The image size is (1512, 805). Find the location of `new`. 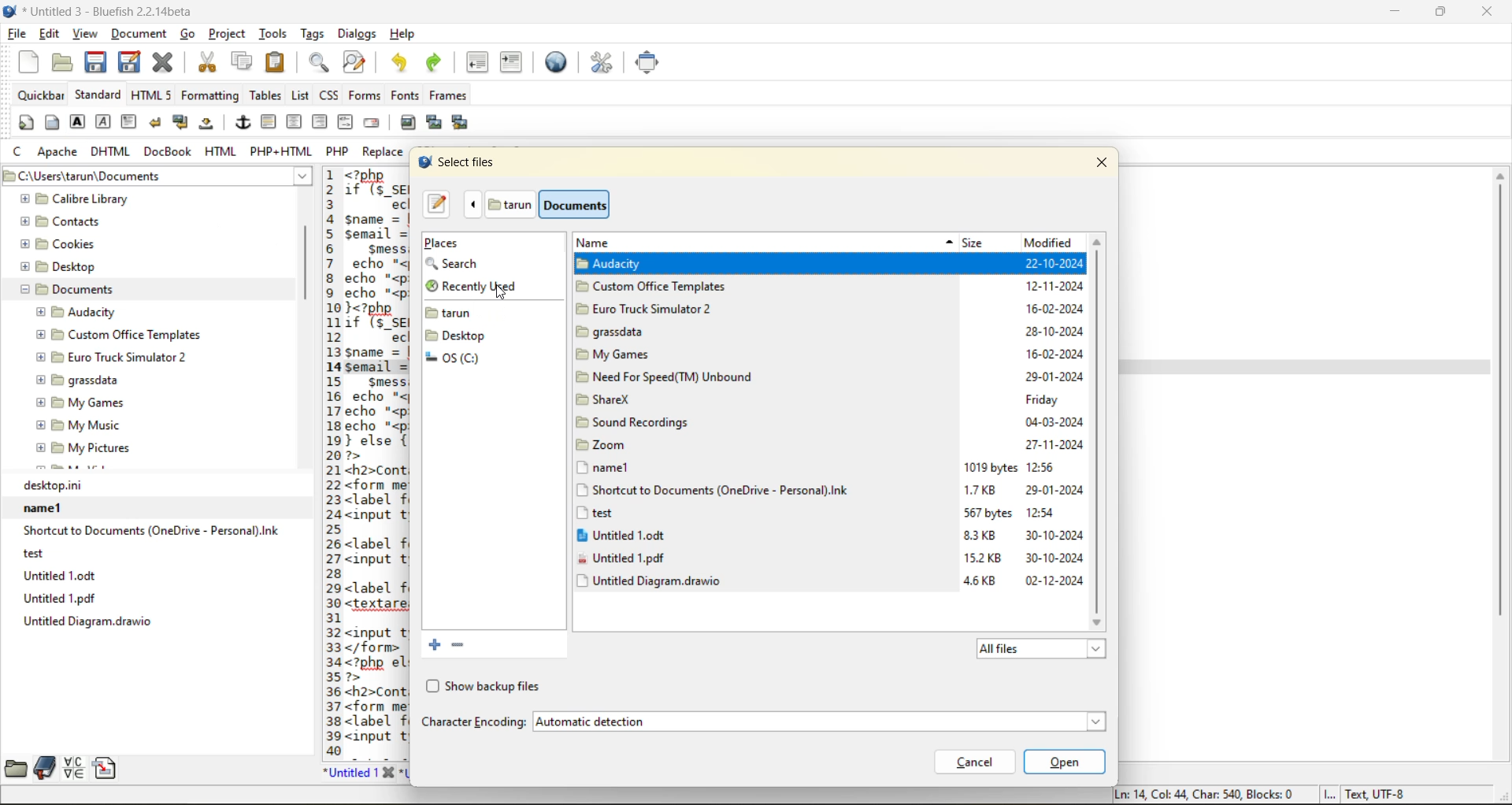

new is located at coordinates (24, 62).